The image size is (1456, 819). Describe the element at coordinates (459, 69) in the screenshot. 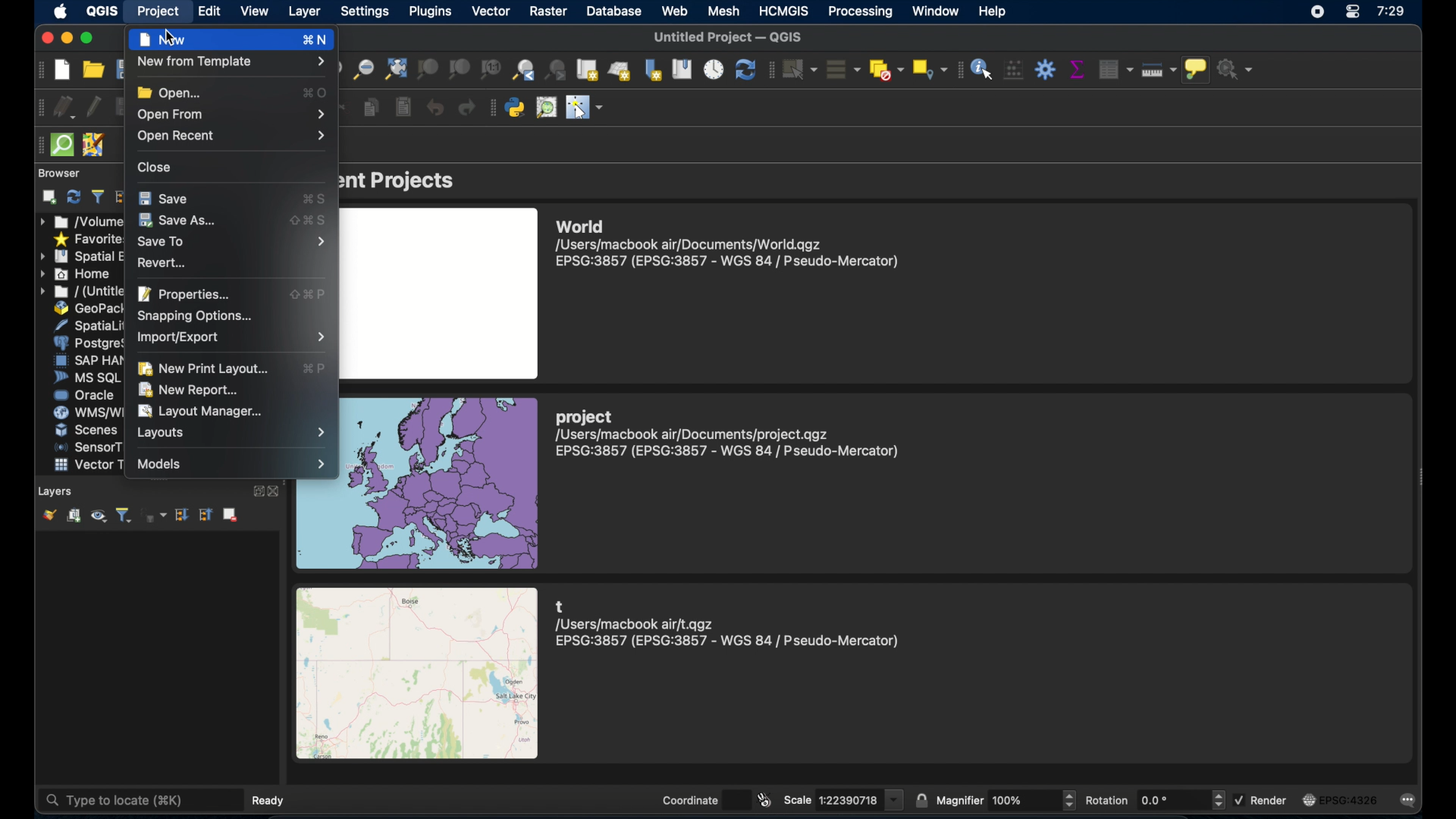

I see `zoom to layer` at that location.